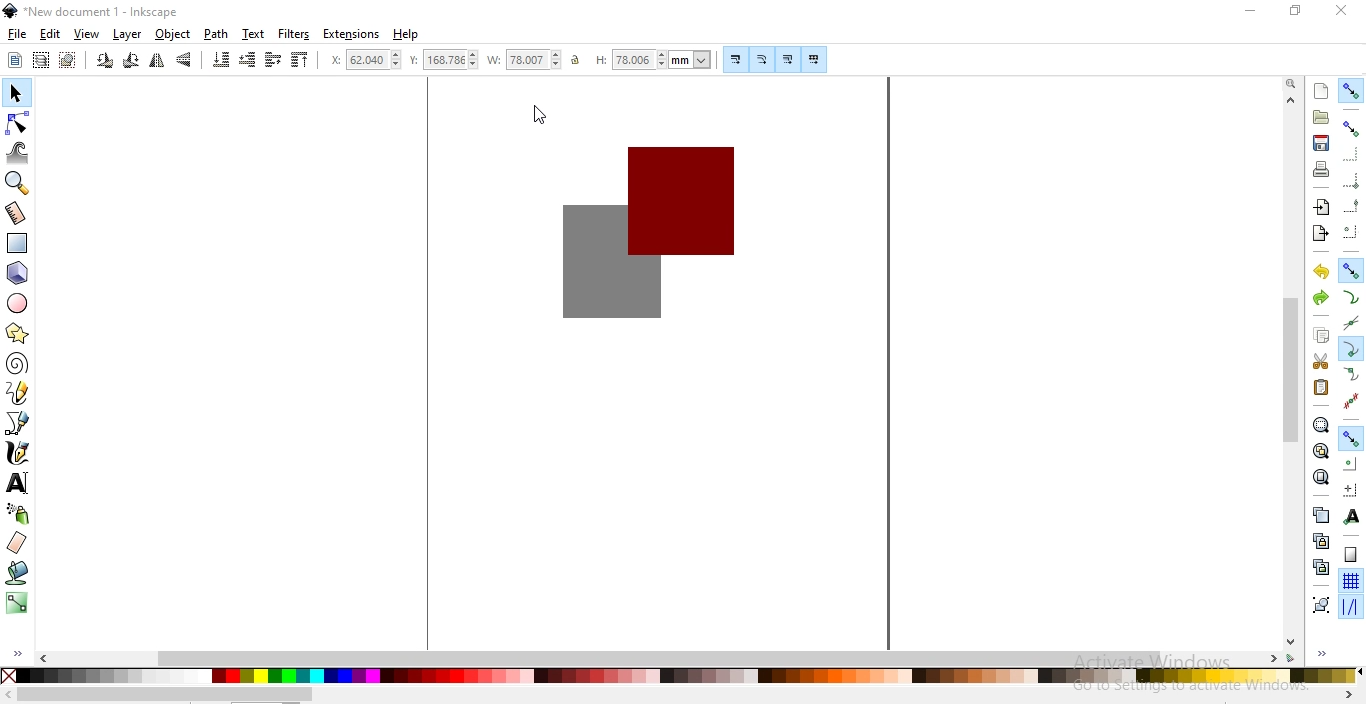  I want to click on create a clone, so click(1320, 541).